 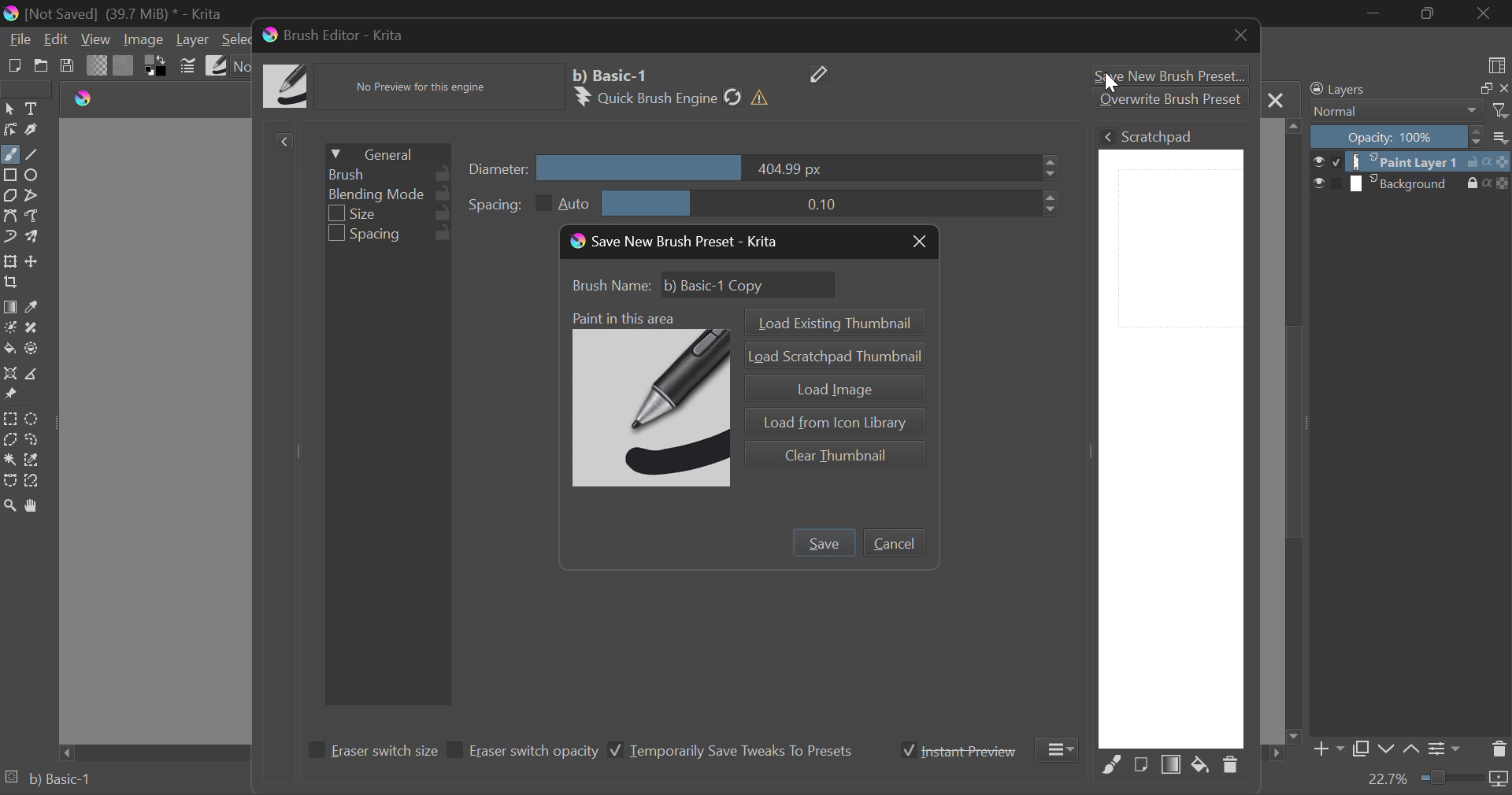 I want to click on Brush, so click(x=387, y=173).